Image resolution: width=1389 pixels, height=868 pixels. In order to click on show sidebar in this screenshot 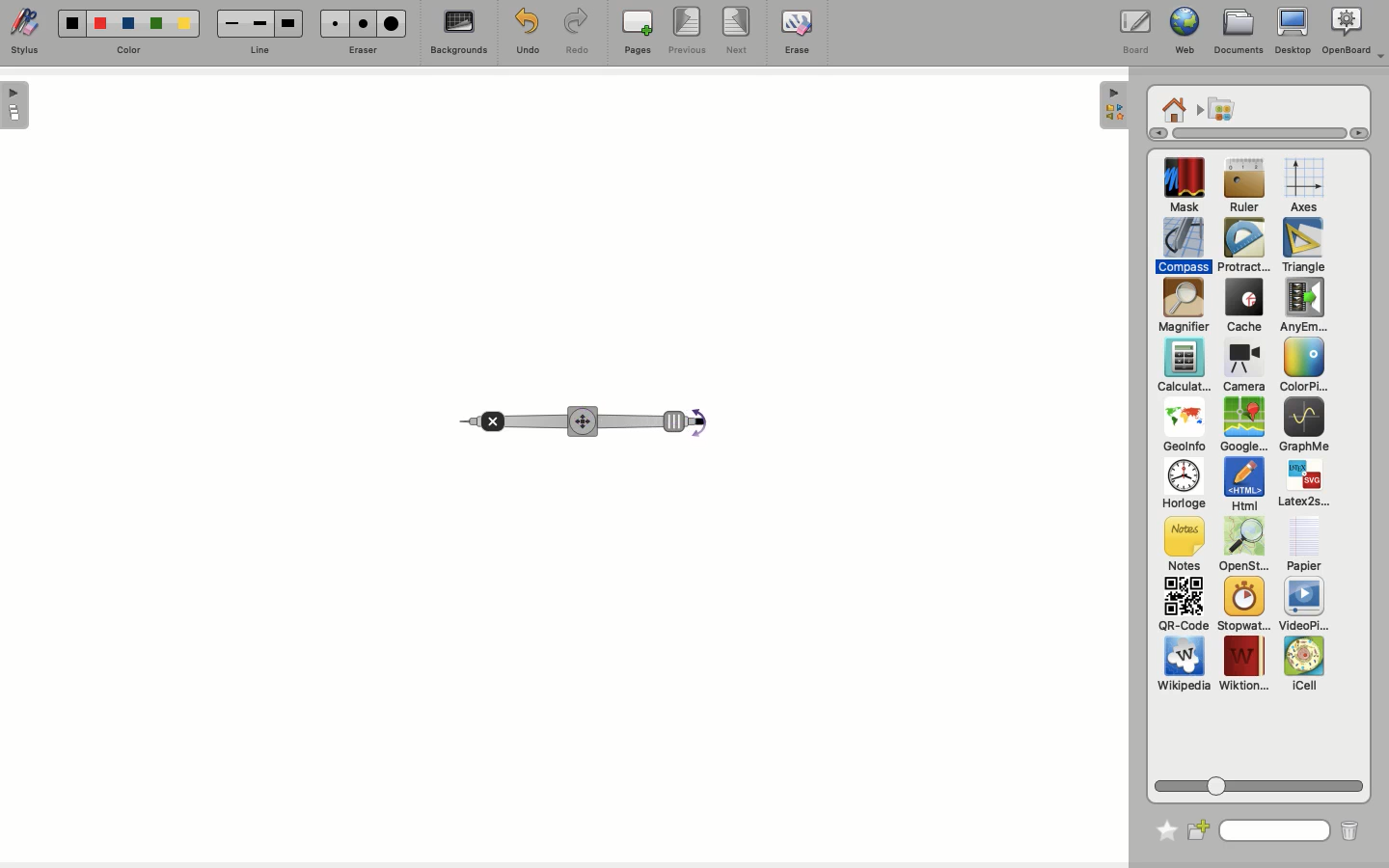, I will do `click(16, 105)`.